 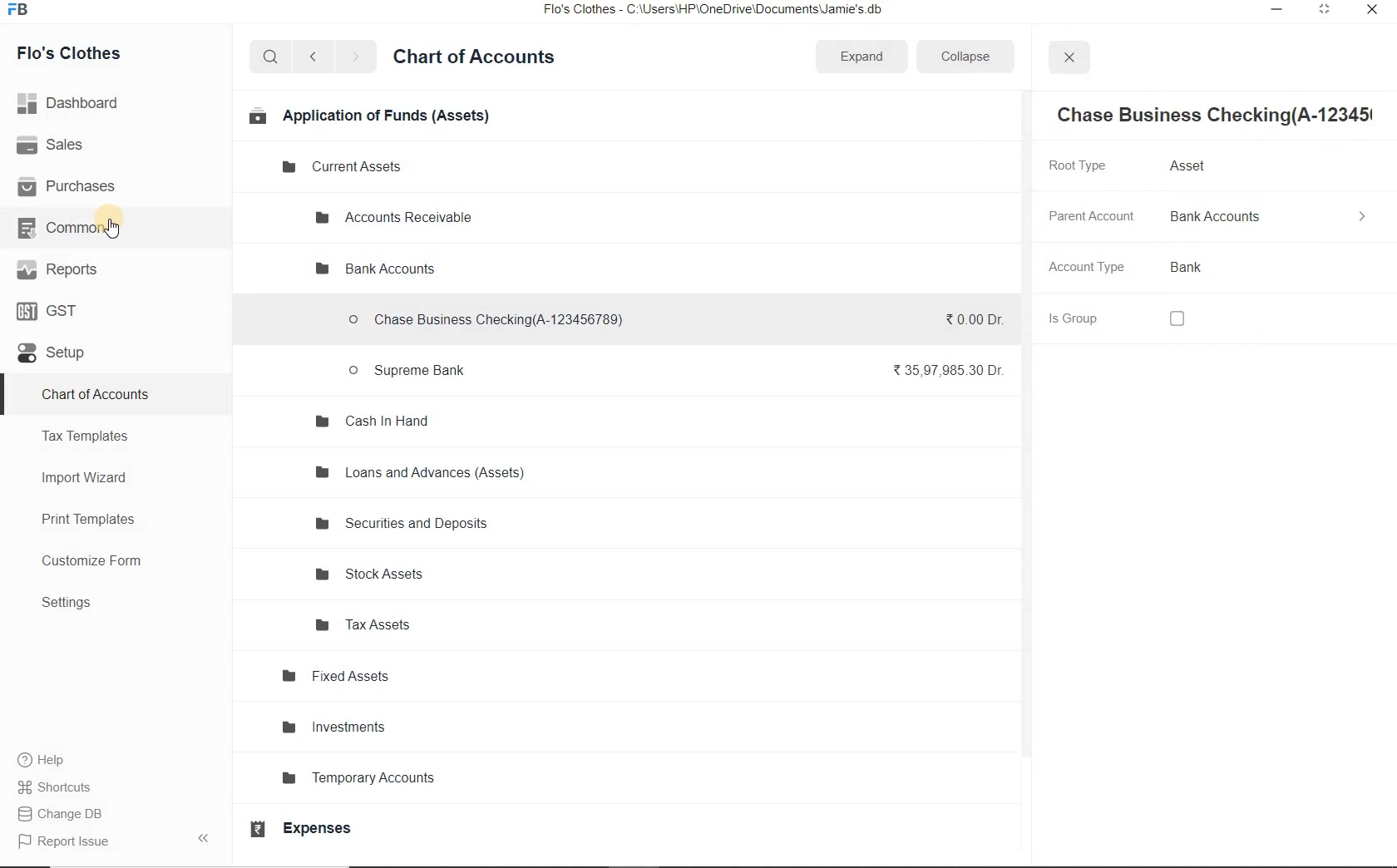 I want to click on Chase Business Checking(A-123456789), so click(x=486, y=321).